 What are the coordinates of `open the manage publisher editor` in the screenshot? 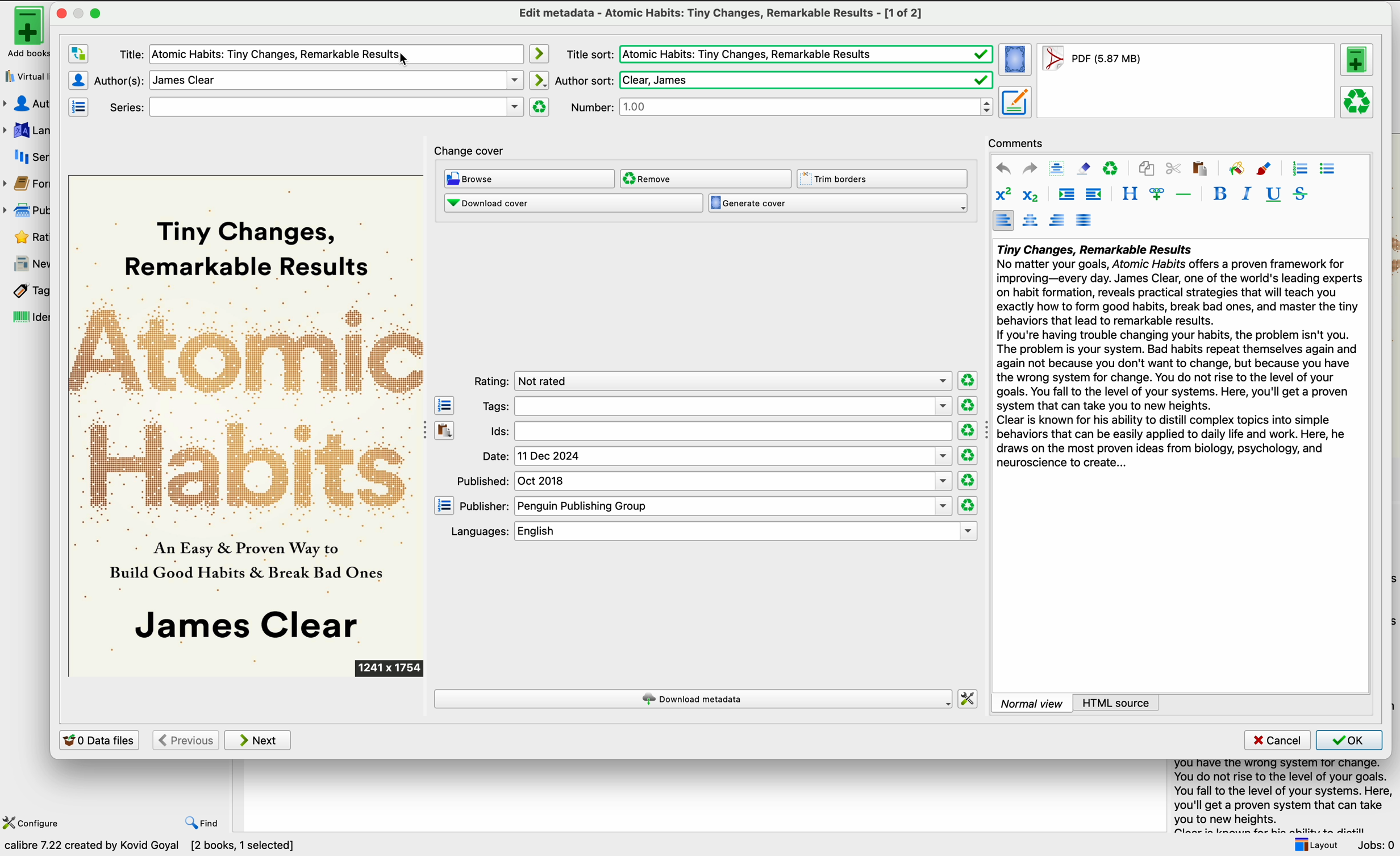 It's located at (444, 505).